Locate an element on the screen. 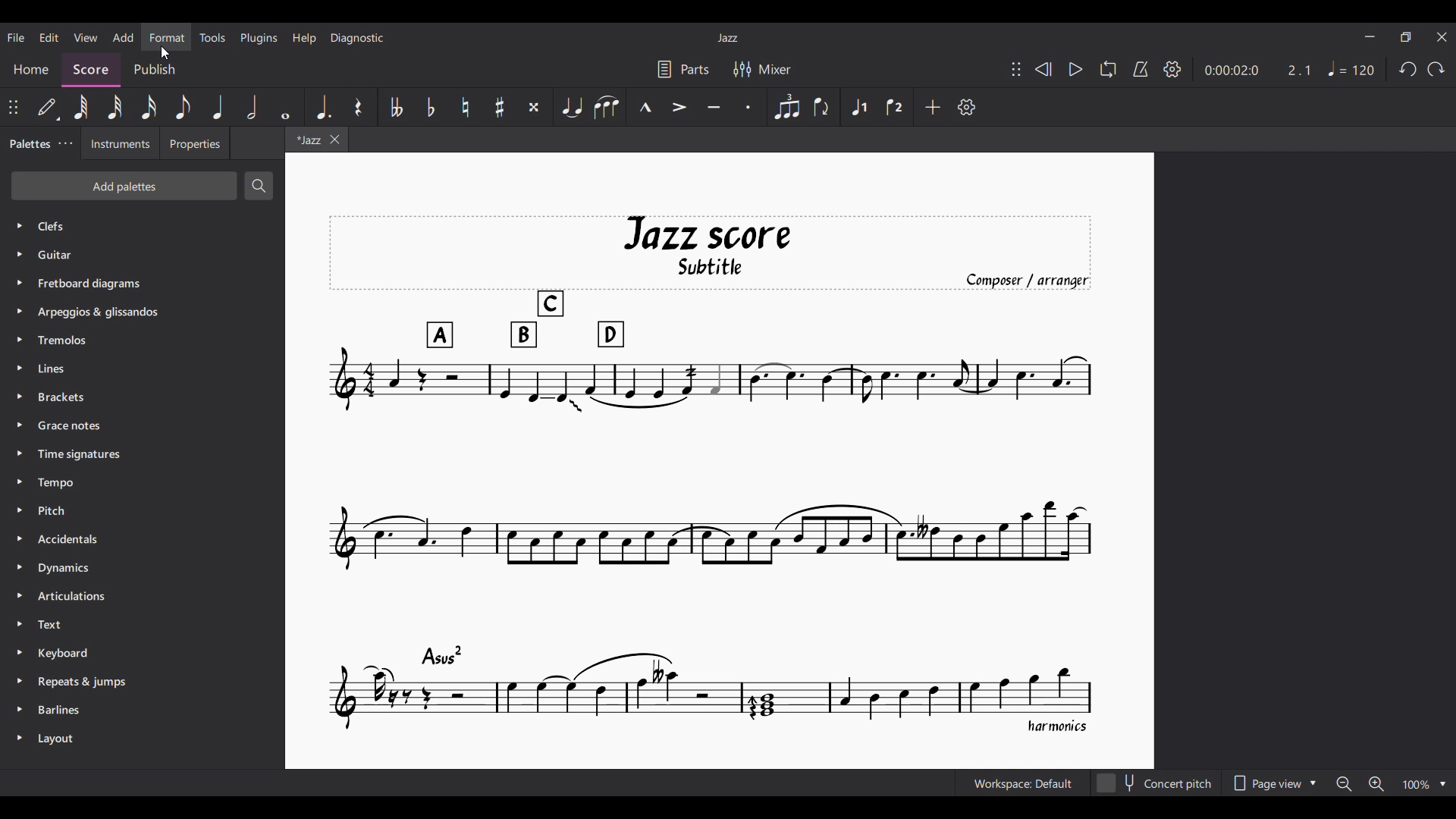 This screenshot has height=819, width=1456. Edit menu is located at coordinates (49, 37).